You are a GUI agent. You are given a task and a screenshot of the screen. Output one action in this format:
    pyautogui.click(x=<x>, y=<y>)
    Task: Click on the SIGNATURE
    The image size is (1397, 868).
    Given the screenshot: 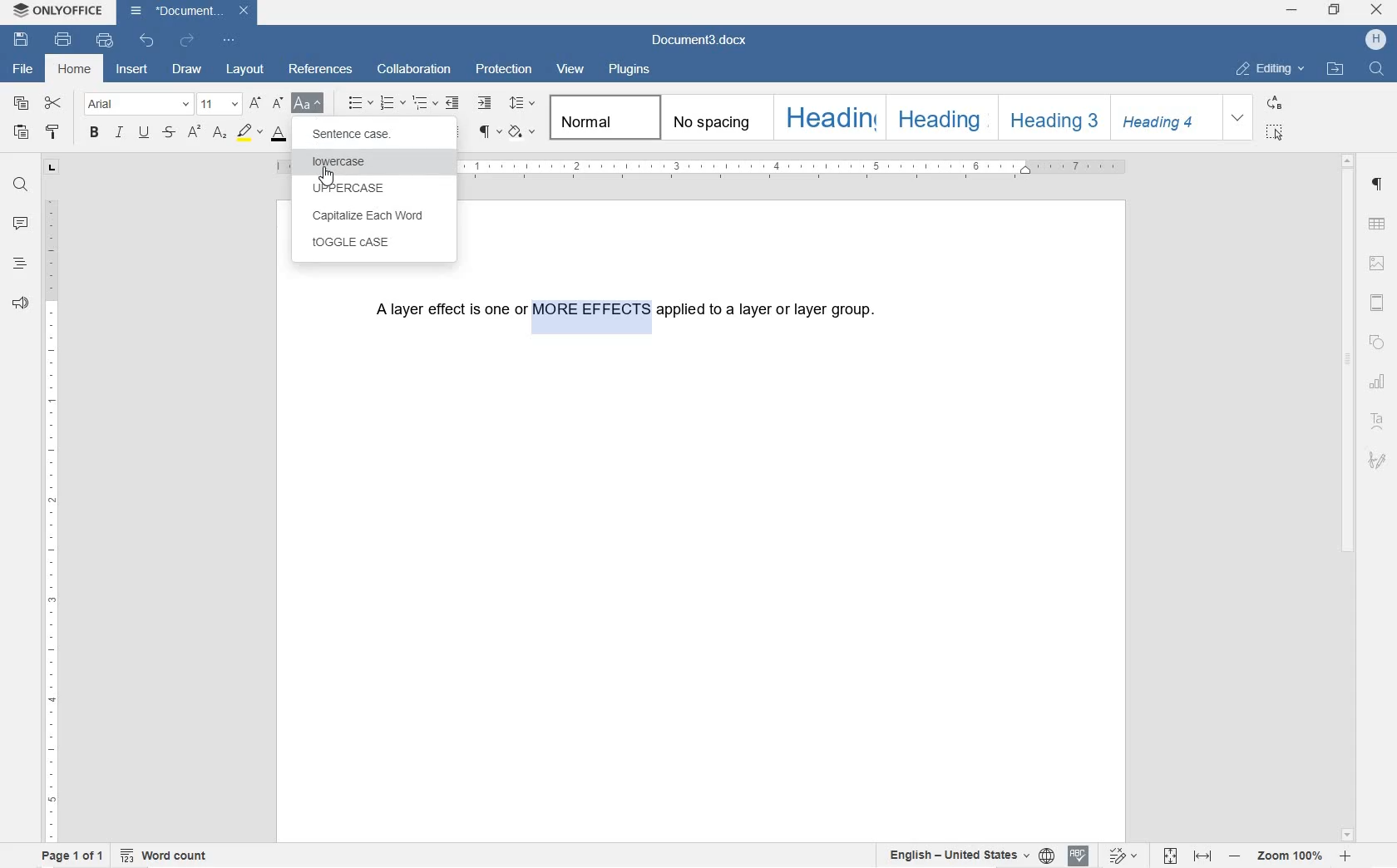 What is the action you would take?
    pyautogui.click(x=1378, y=458)
    